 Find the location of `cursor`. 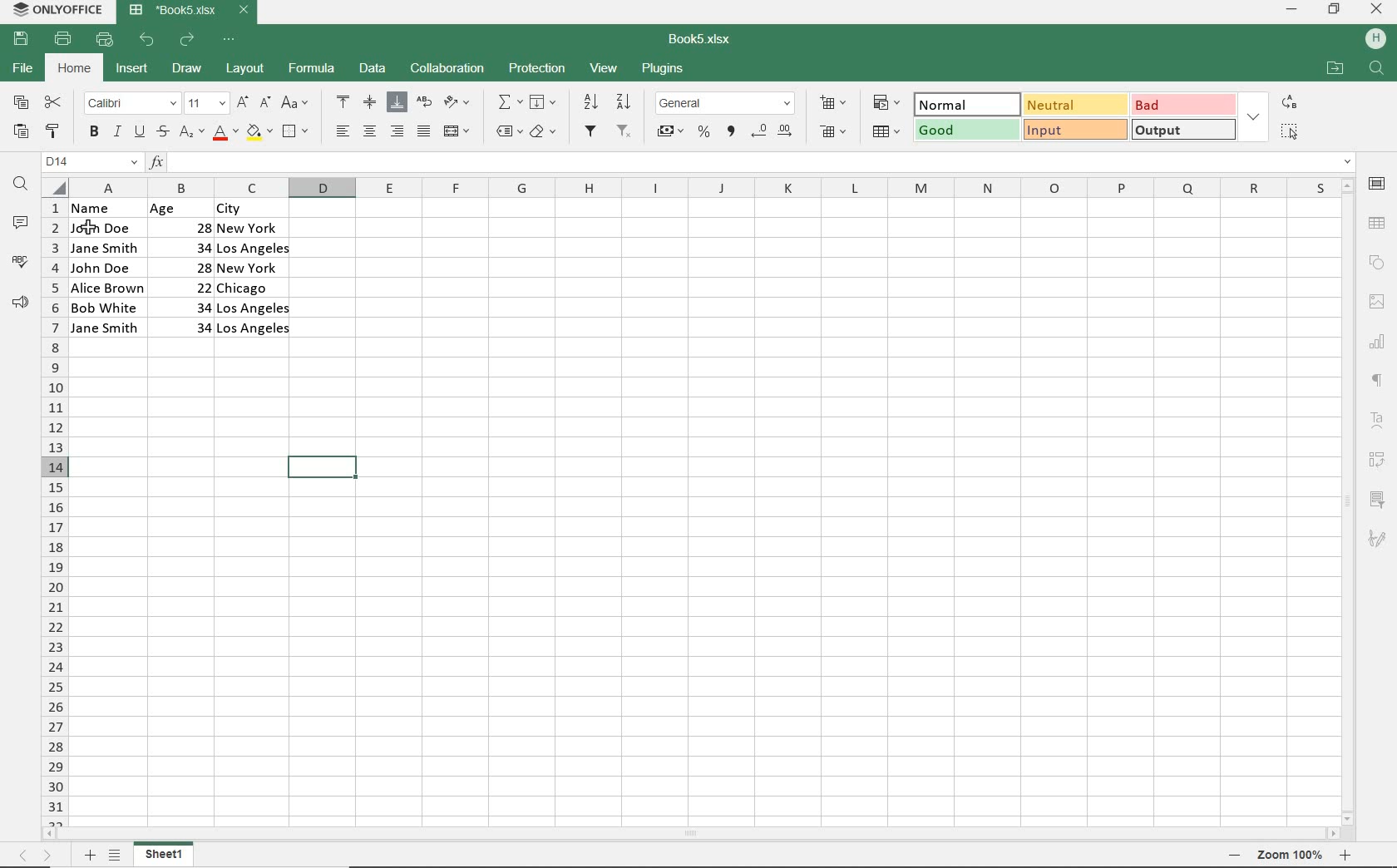

cursor is located at coordinates (92, 227).